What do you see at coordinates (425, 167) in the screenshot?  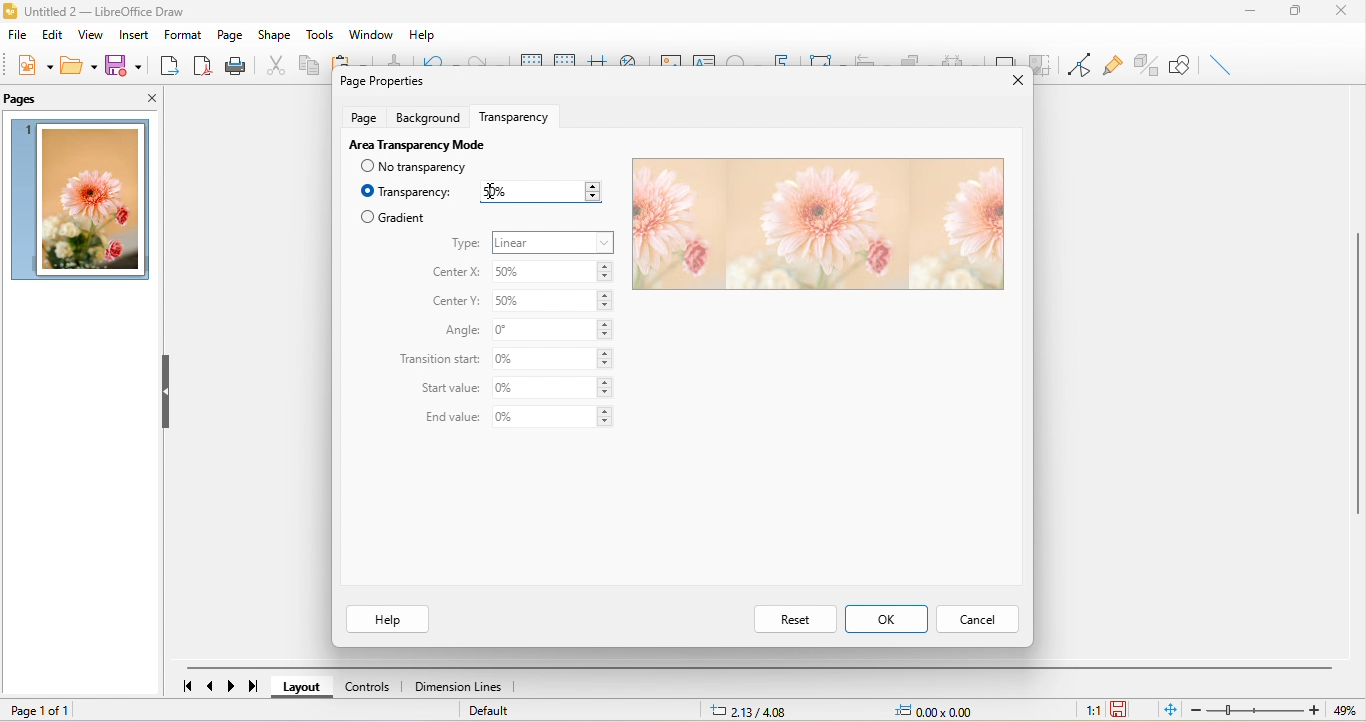 I see `no transparency` at bounding box center [425, 167].